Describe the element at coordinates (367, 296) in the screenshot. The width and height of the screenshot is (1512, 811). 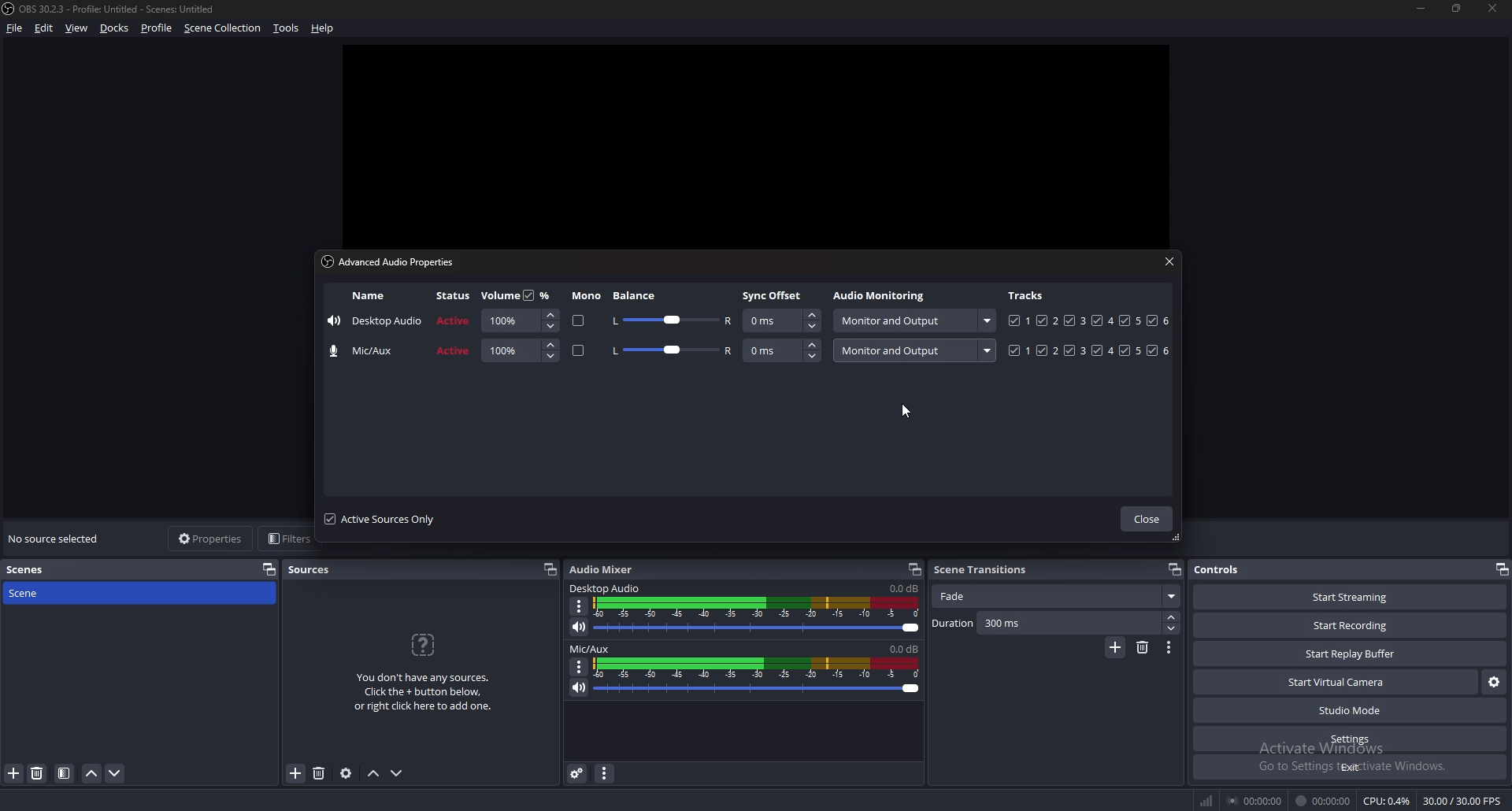
I see `name` at that location.